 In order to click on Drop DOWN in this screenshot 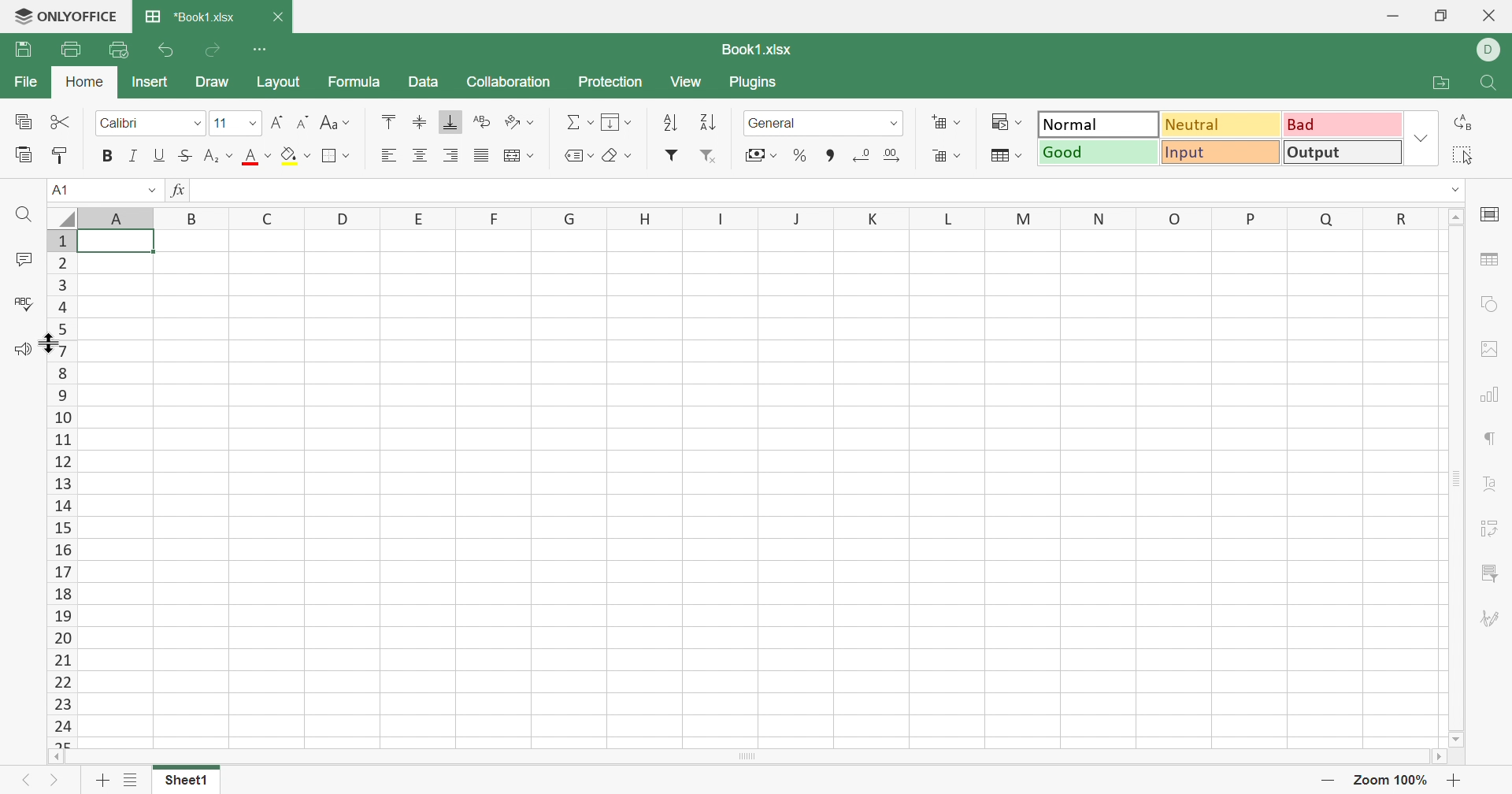, I will do `click(892, 126)`.